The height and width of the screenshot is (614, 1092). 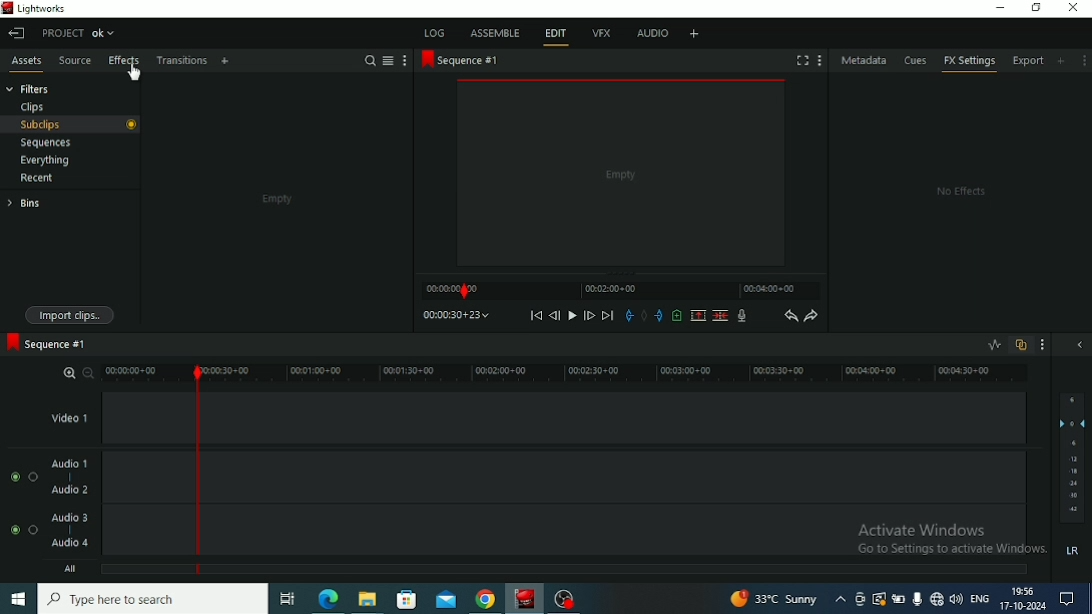 I want to click on microphone, so click(x=918, y=597).